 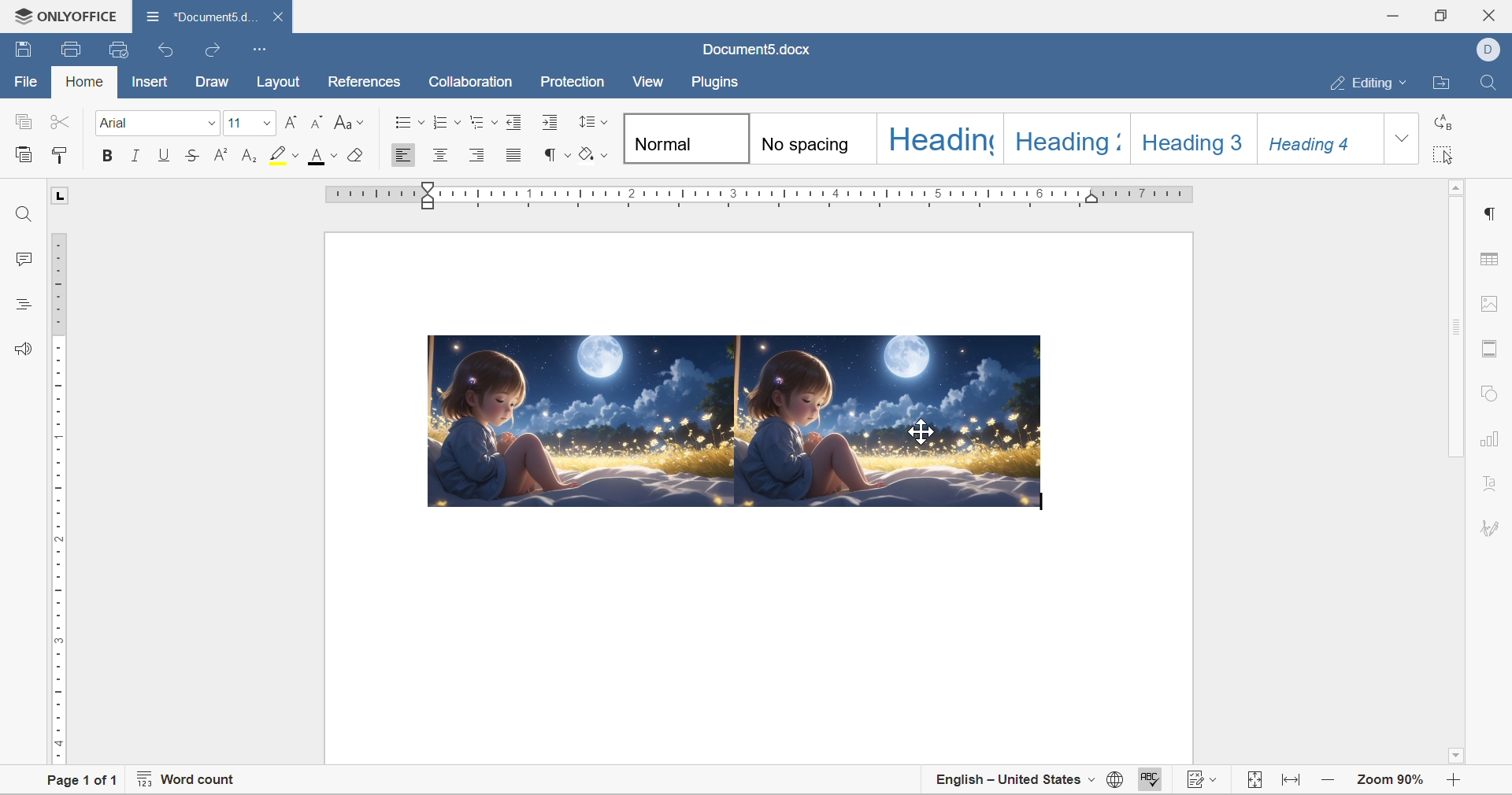 I want to click on document5.docx, so click(x=759, y=50).